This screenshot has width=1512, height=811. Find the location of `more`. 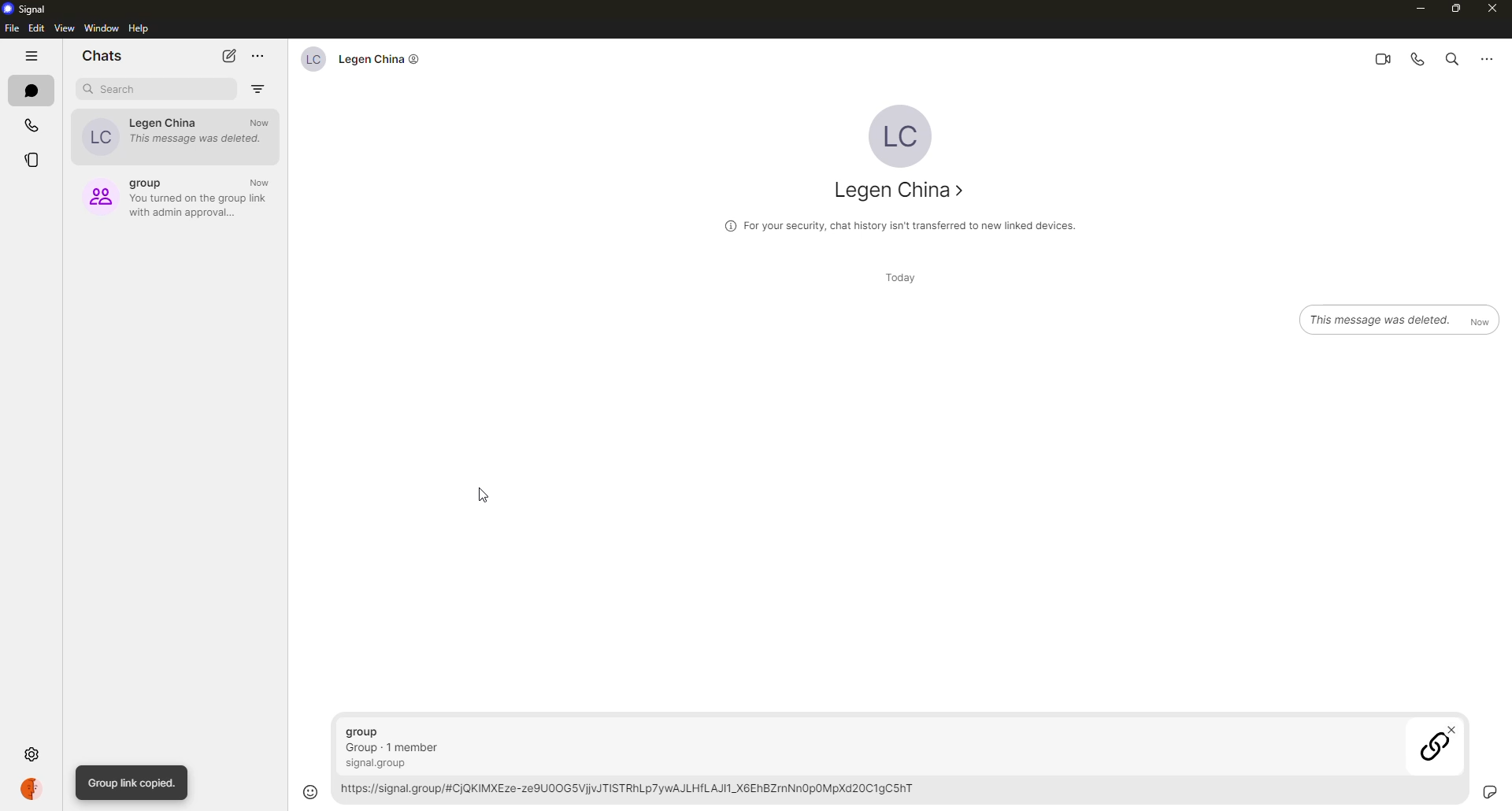

more is located at coordinates (258, 56).